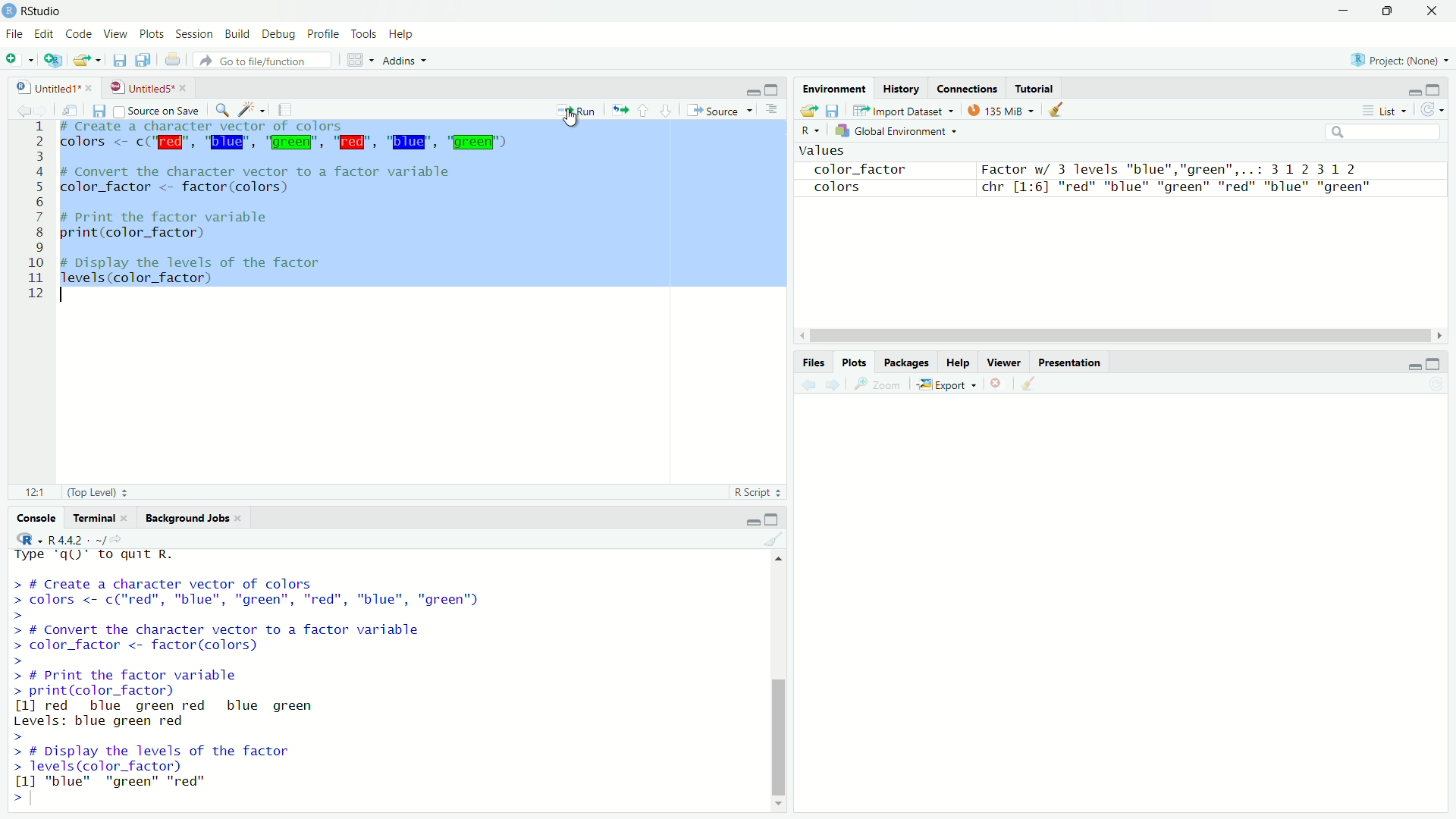  Describe the element at coordinates (782, 808) in the screenshot. I see `move down` at that location.